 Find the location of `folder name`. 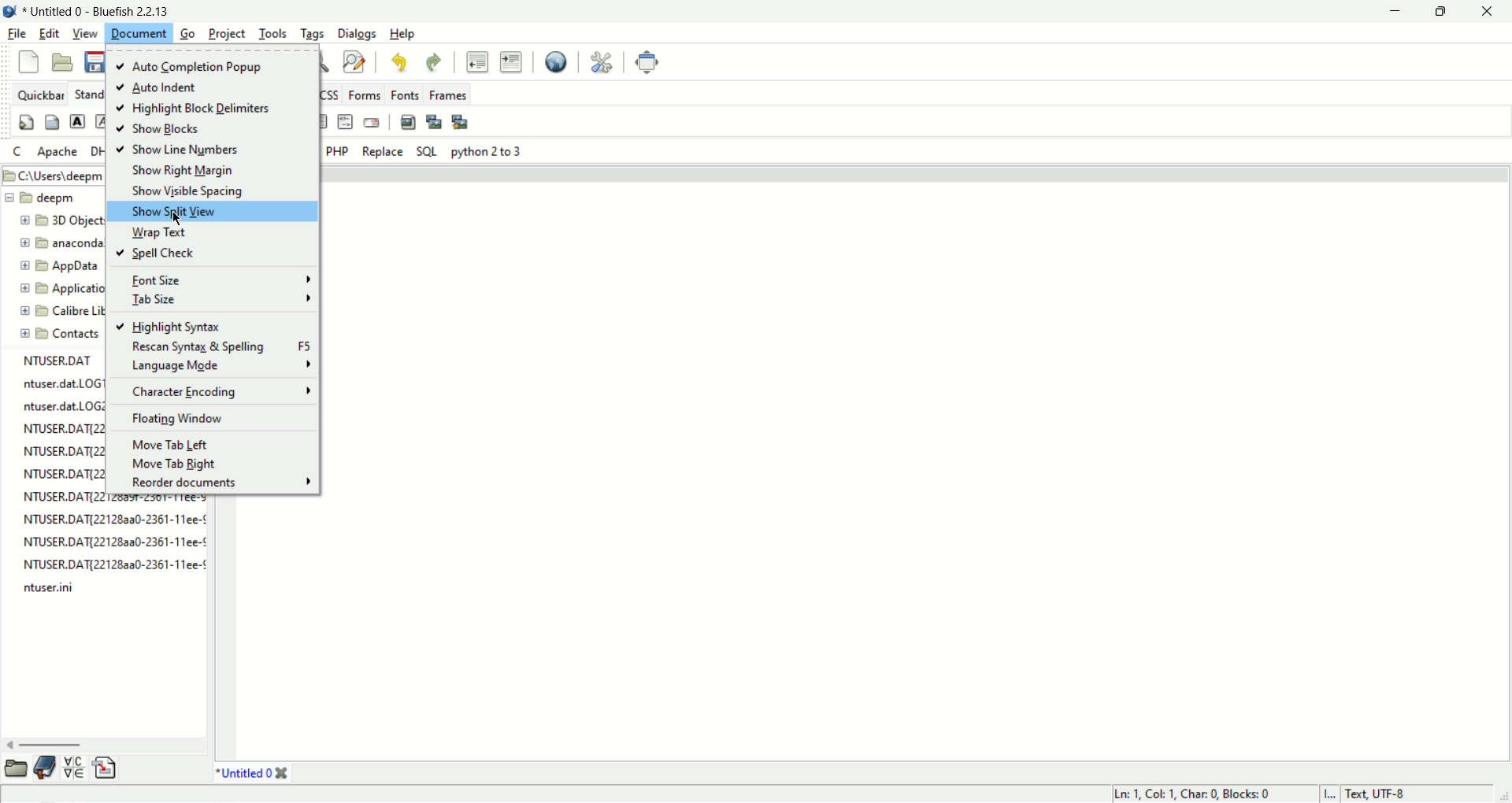

folder name is located at coordinates (52, 198).